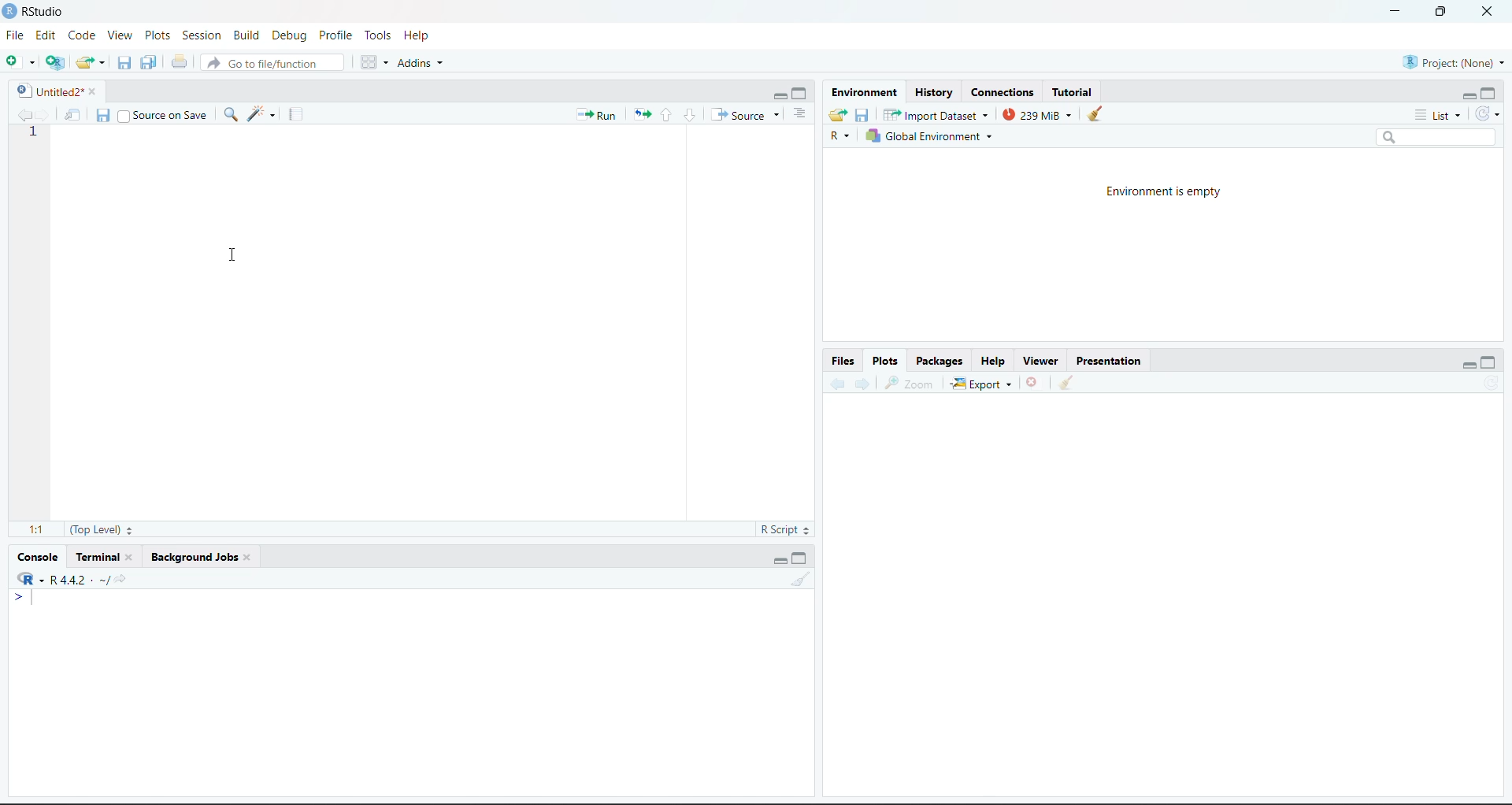 The height and width of the screenshot is (805, 1512). What do you see at coordinates (1435, 117) in the screenshot?
I see `List` at bounding box center [1435, 117].